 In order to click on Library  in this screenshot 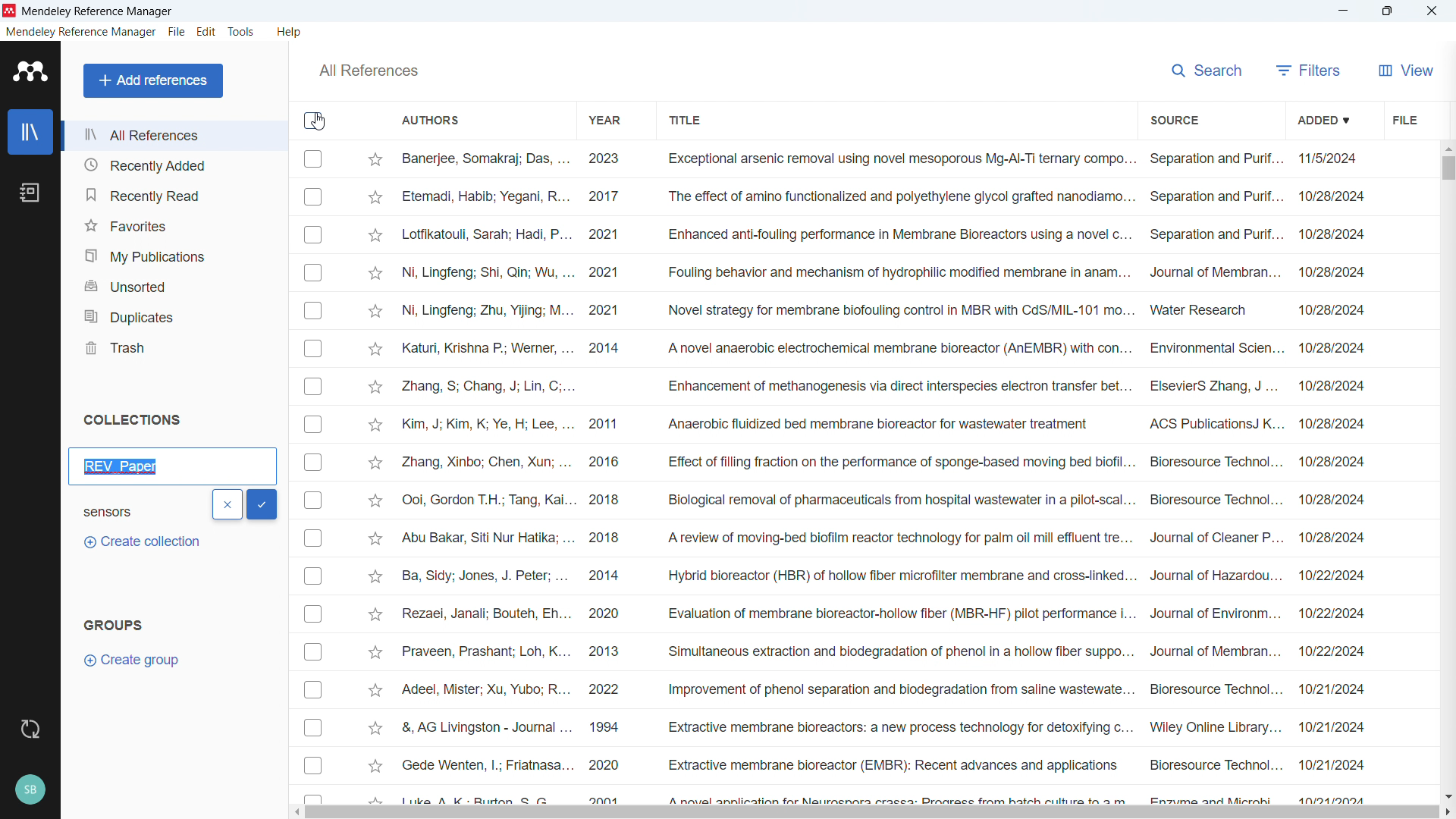, I will do `click(30, 131)`.